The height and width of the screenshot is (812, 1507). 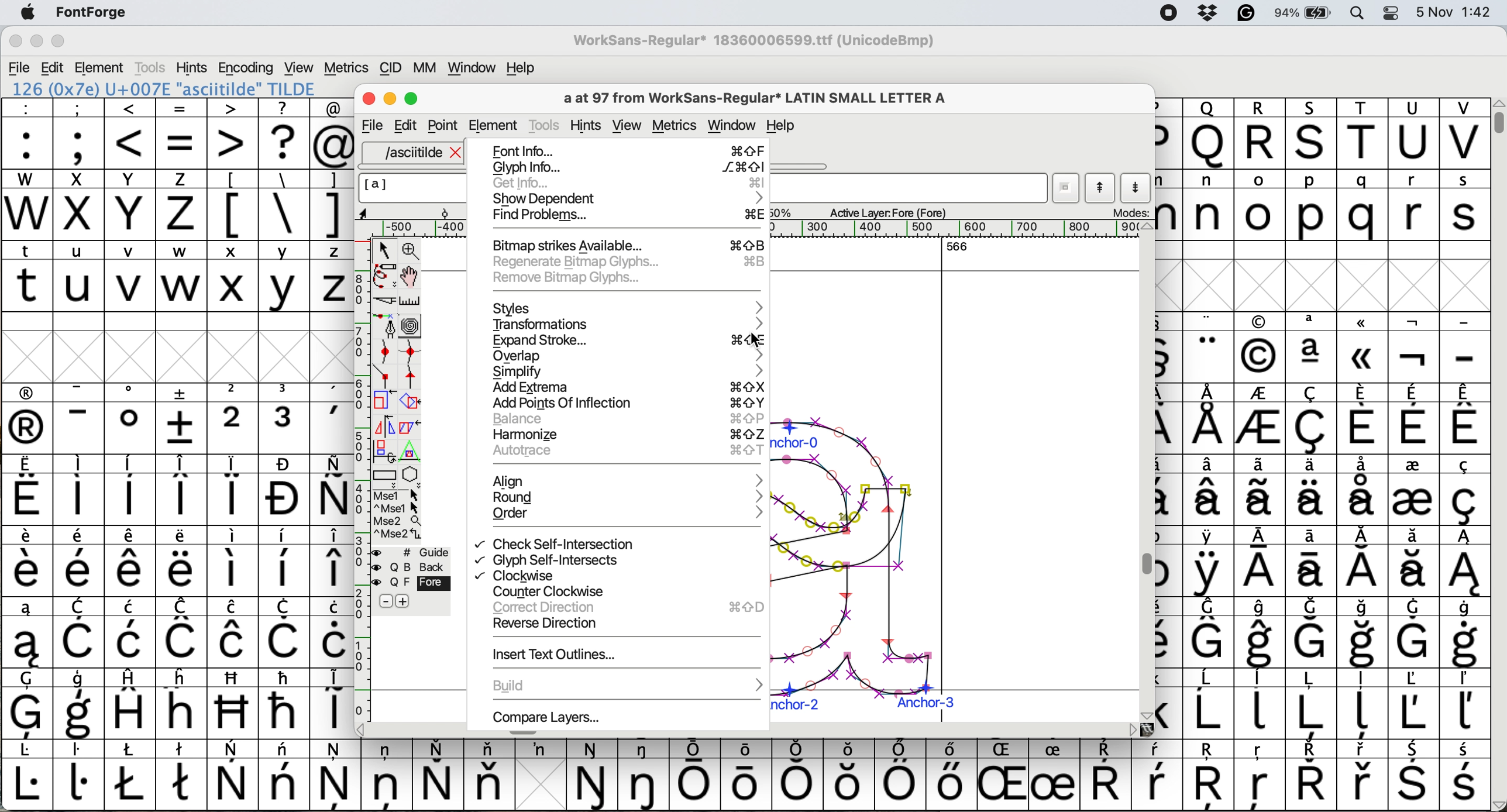 I want to click on symbol, so click(x=132, y=562).